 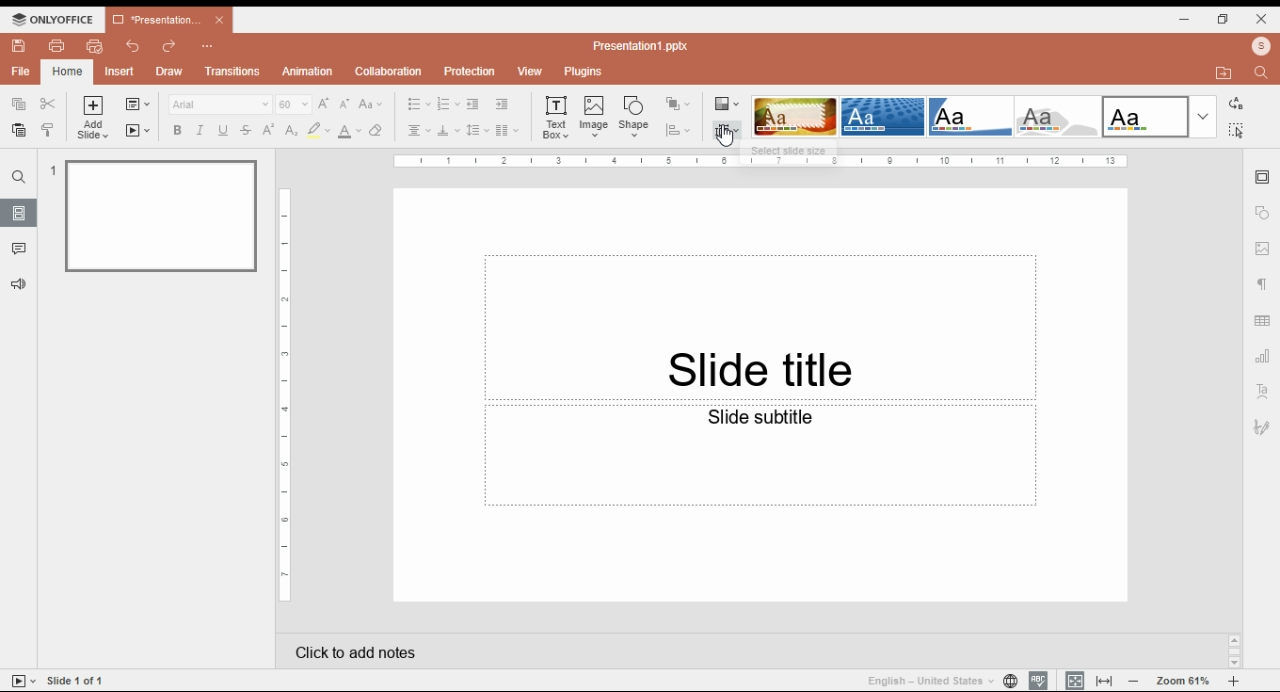 I want to click on insert image, so click(x=595, y=116).